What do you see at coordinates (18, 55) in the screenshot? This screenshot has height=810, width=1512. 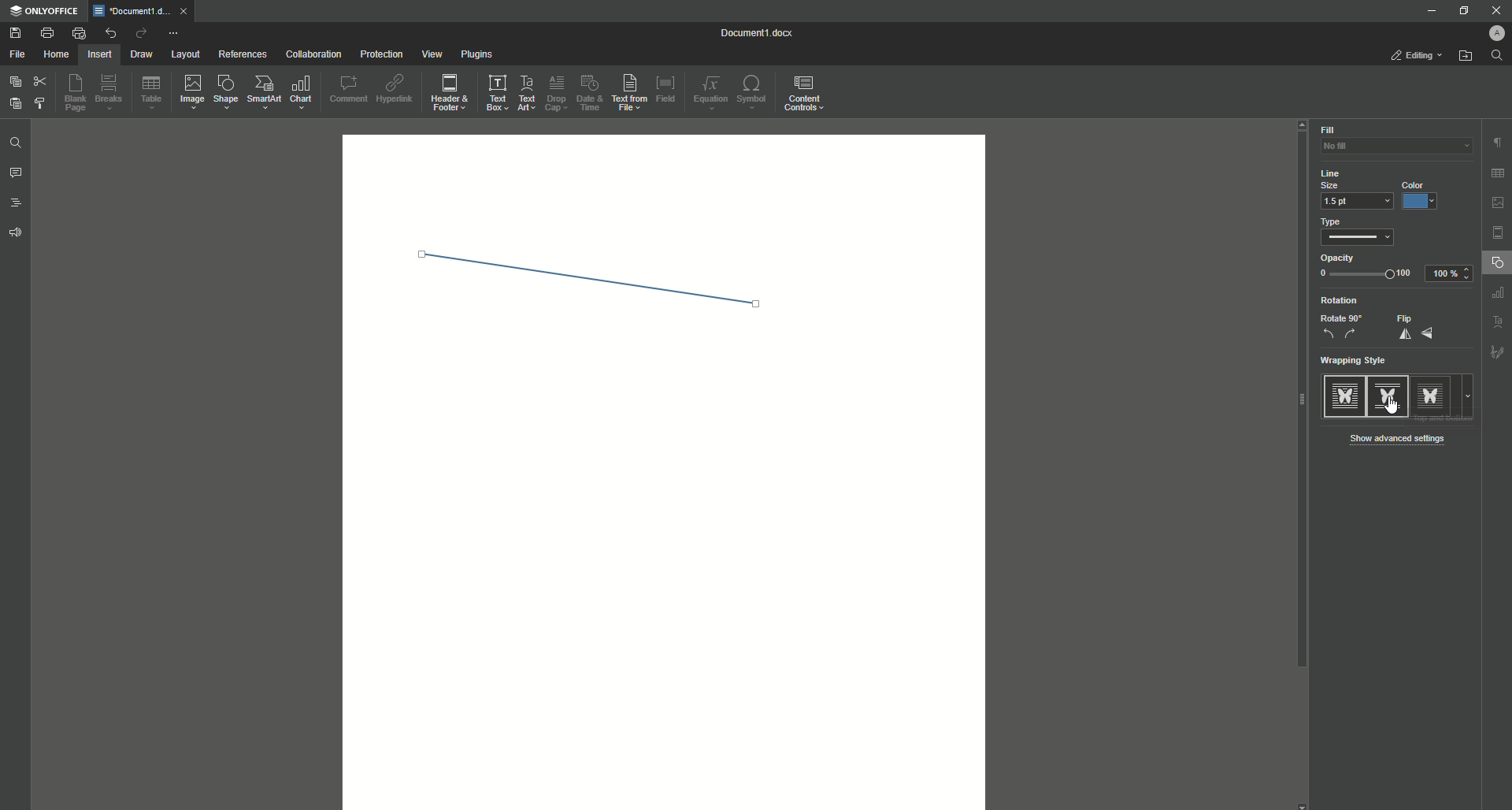 I see `File` at bounding box center [18, 55].